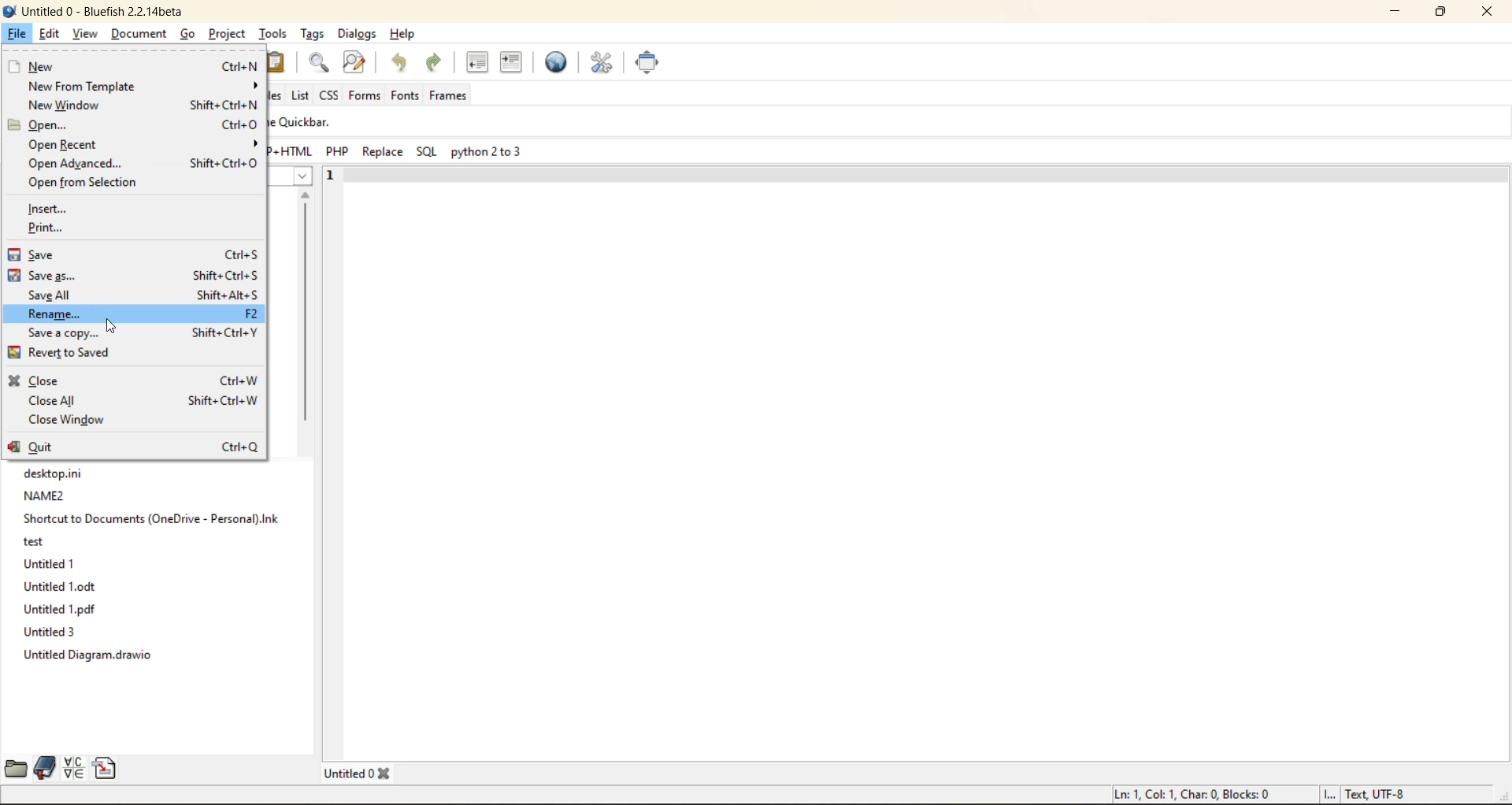 The width and height of the screenshot is (1512, 805). What do you see at coordinates (442, 67) in the screenshot?
I see `redo` at bounding box center [442, 67].